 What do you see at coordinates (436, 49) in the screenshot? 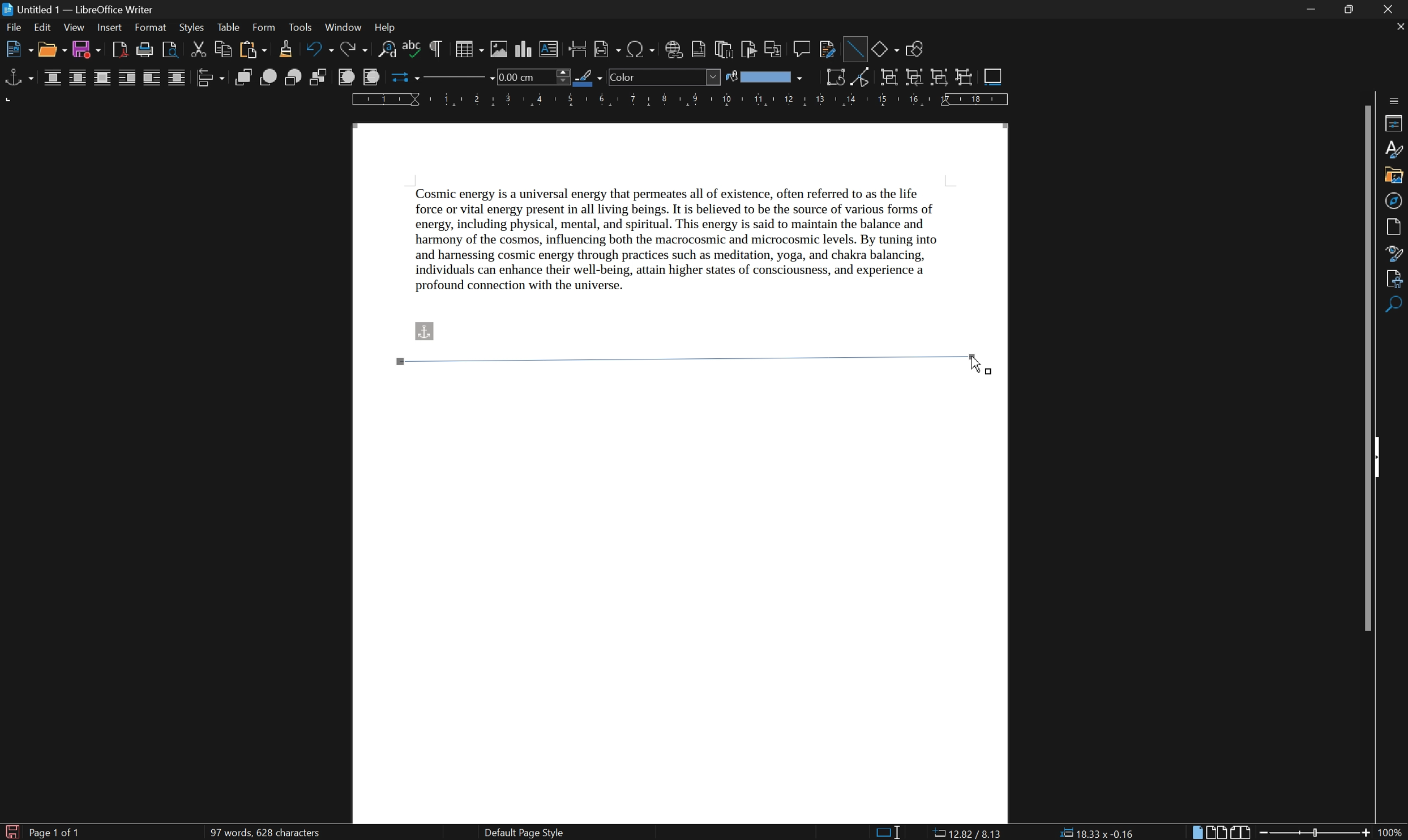
I see `toggle formatting marks` at bounding box center [436, 49].